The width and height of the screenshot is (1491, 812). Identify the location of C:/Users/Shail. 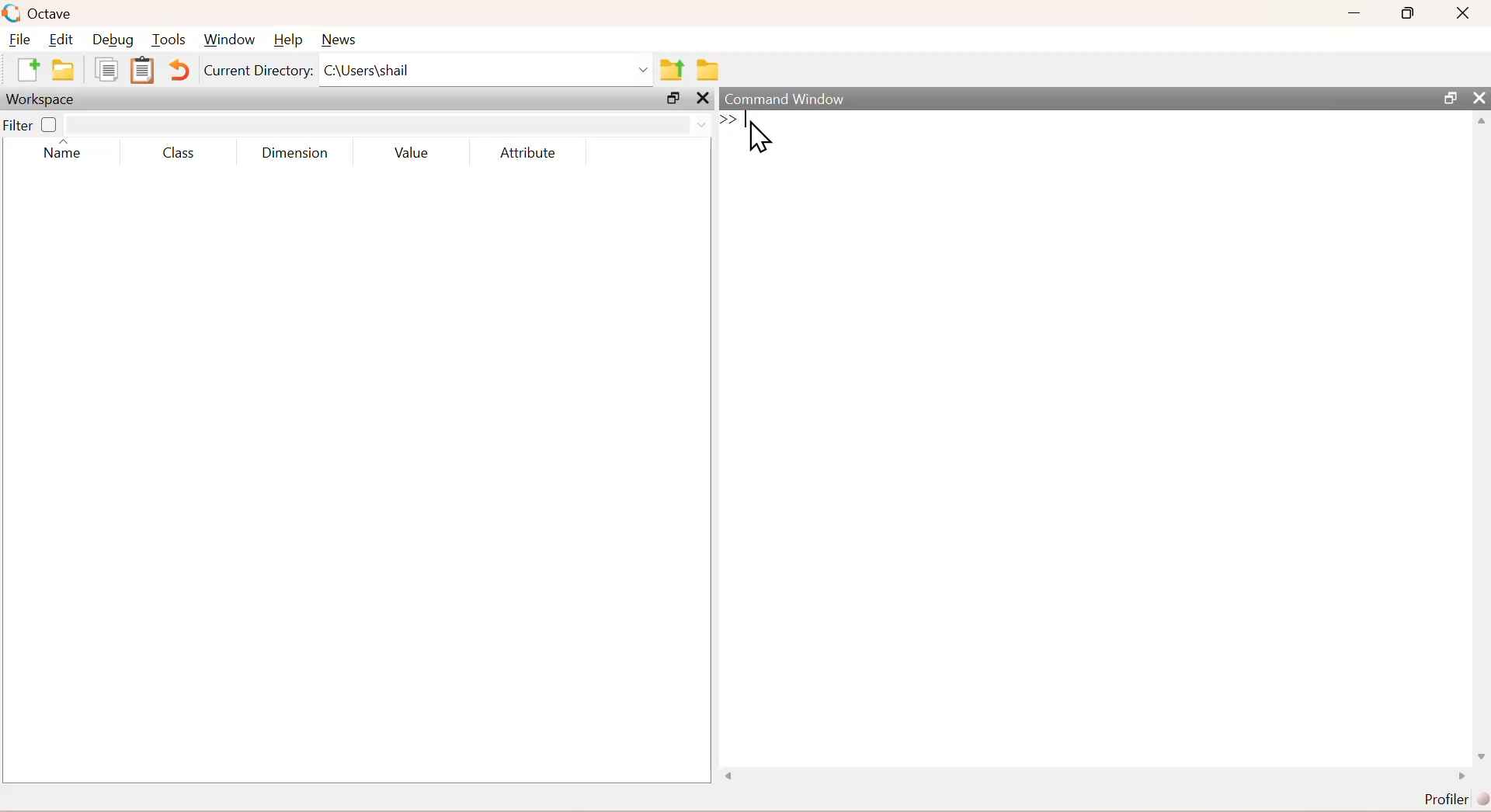
(485, 72).